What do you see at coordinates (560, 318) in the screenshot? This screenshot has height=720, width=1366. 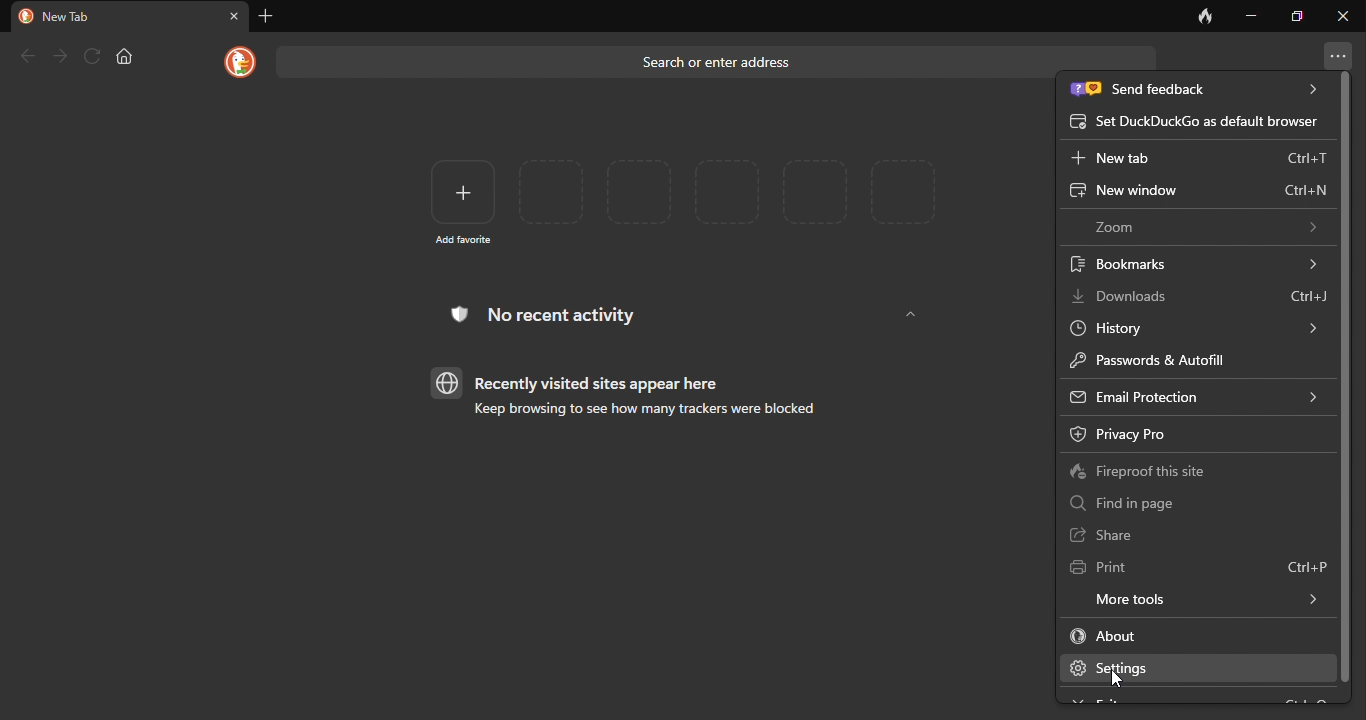 I see `no recent activity` at bounding box center [560, 318].